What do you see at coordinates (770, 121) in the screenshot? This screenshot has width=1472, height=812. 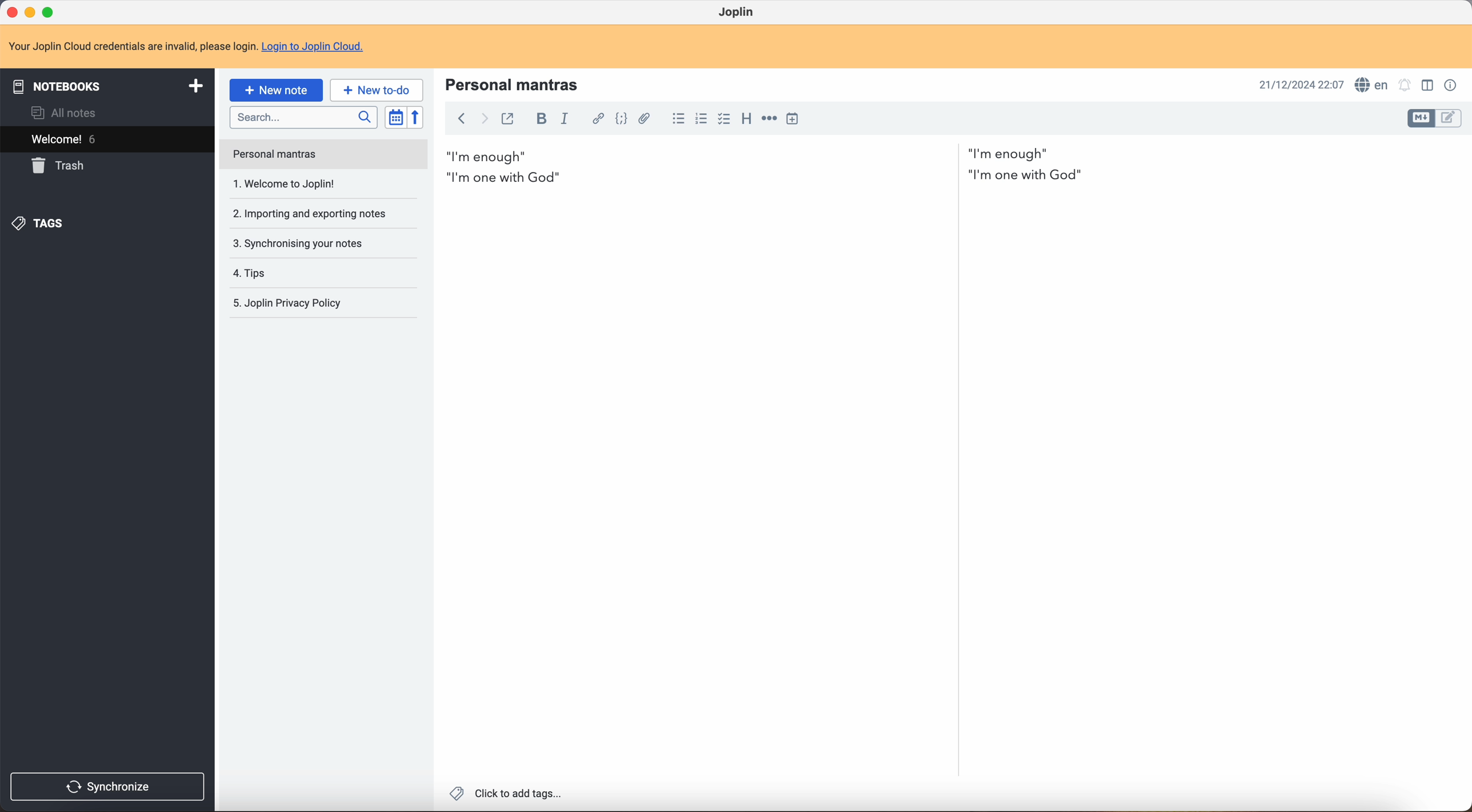 I see `horizontal rule` at bounding box center [770, 121].